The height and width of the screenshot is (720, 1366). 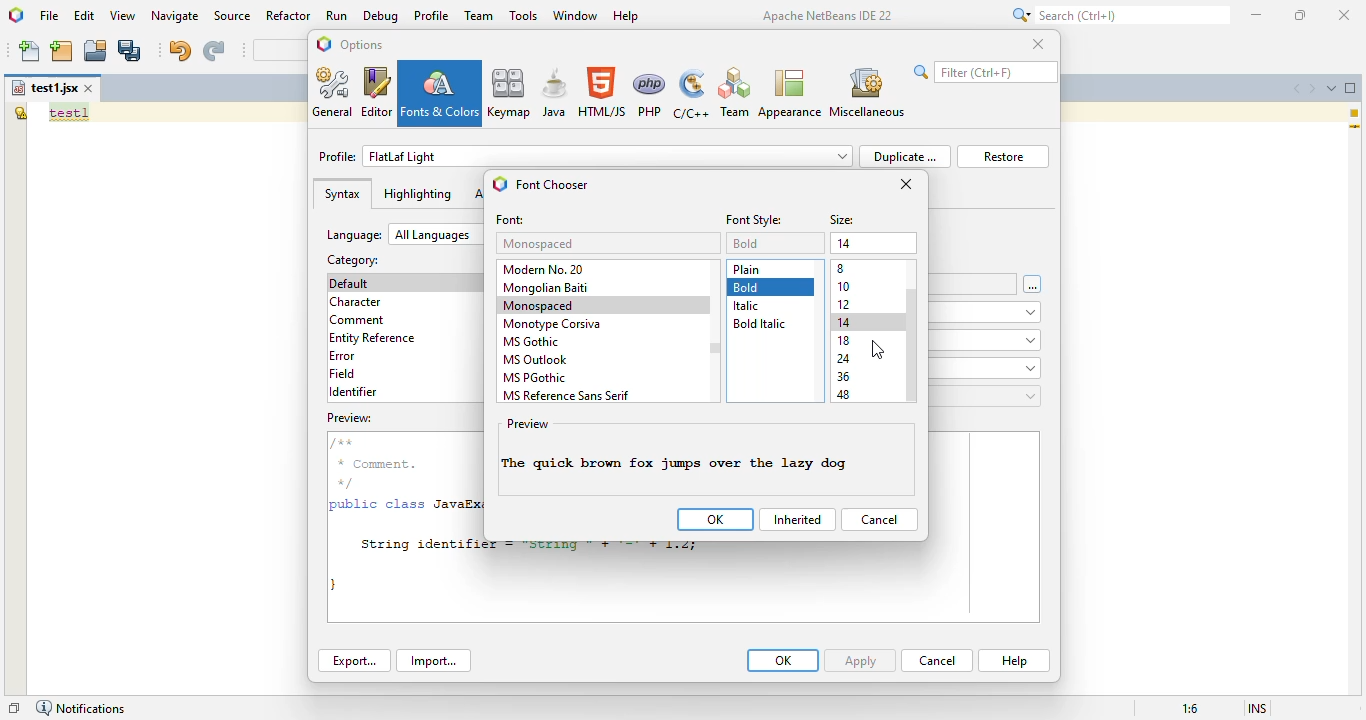 I want to click on MS reference sans serif, so click(x=567, y=395).